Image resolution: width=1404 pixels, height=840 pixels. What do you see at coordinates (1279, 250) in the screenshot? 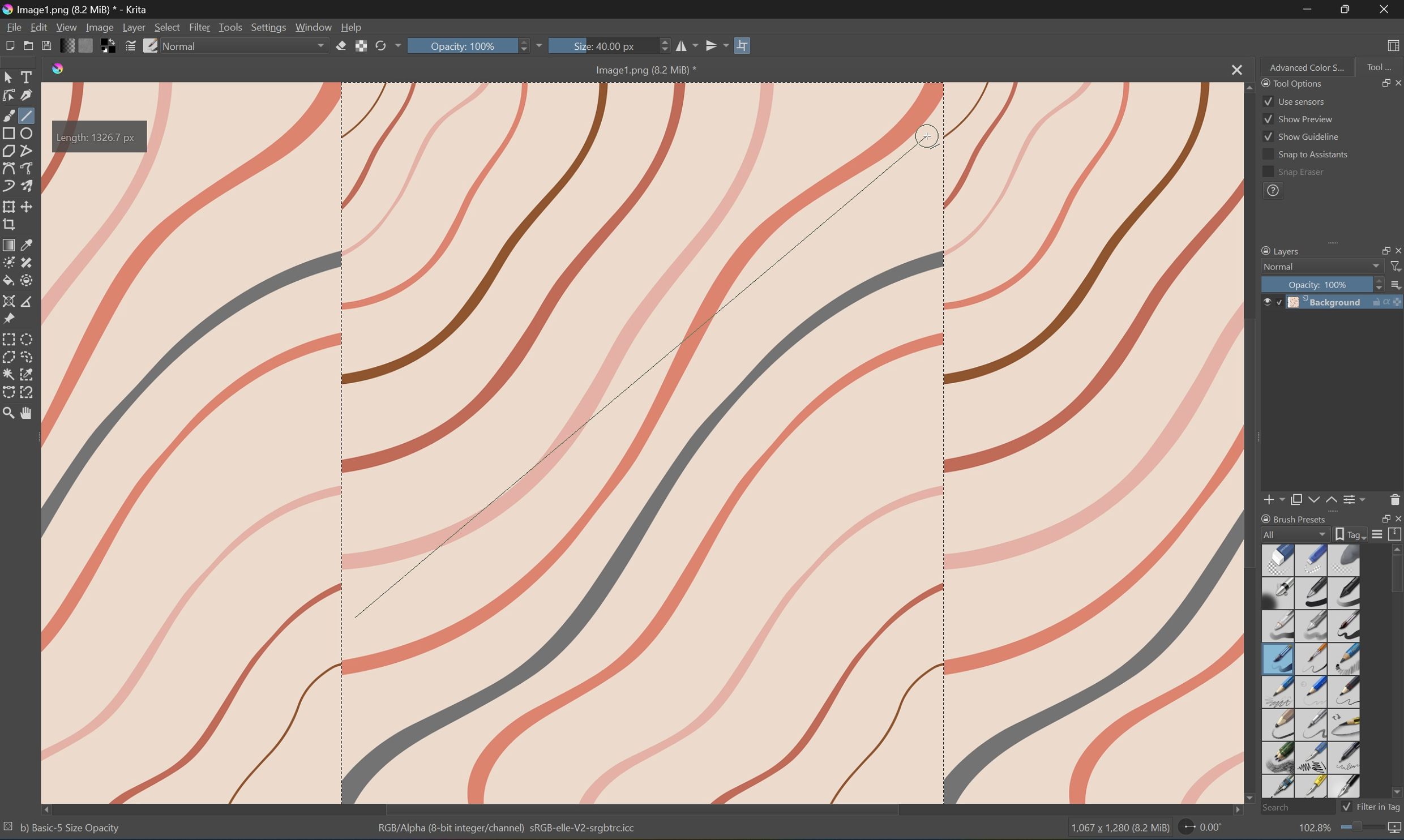
I see `Layers` at bounding box center [1279, 250].